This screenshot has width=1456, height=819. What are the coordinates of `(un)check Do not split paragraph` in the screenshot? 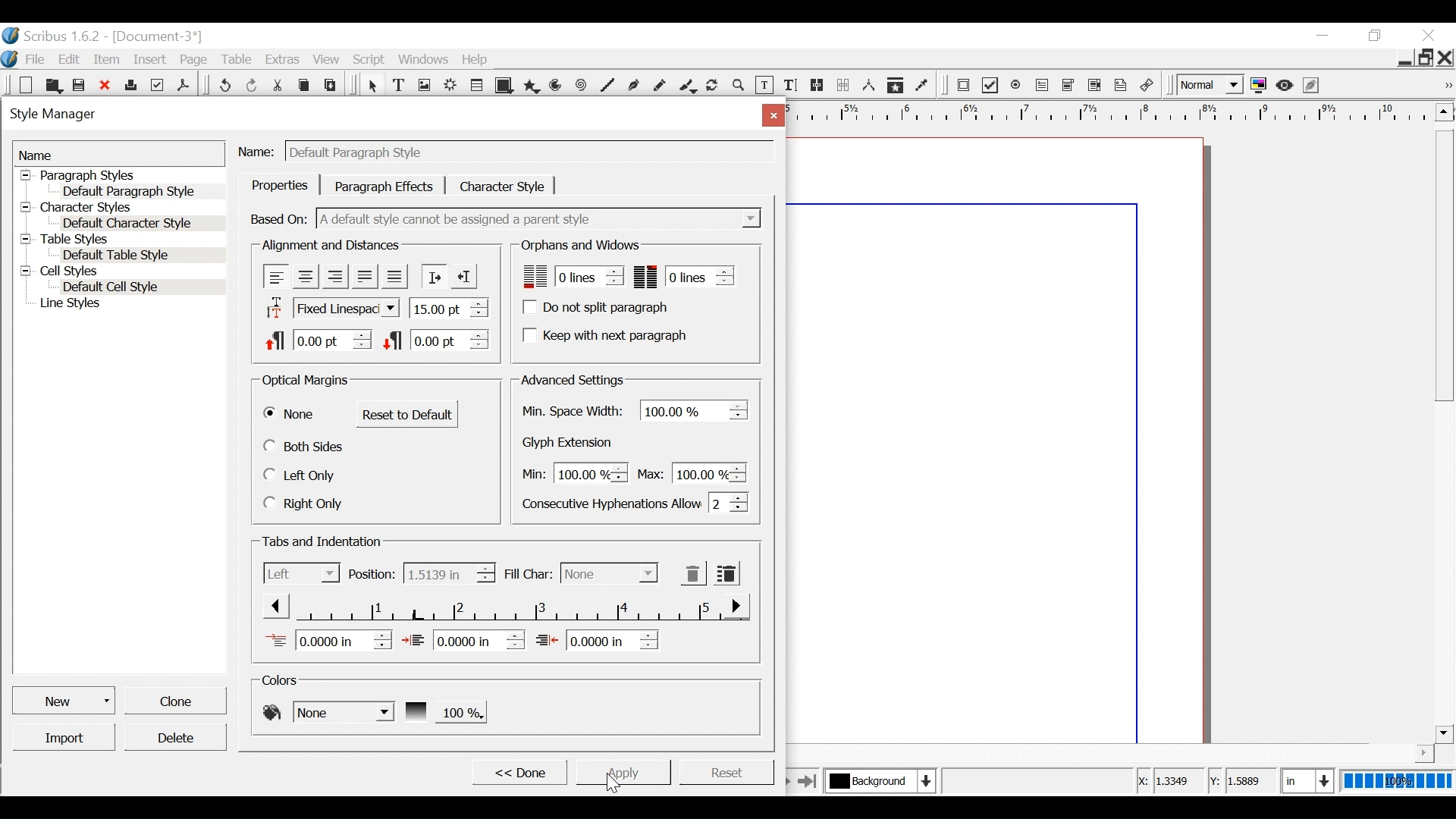 It's located at (598, 307).